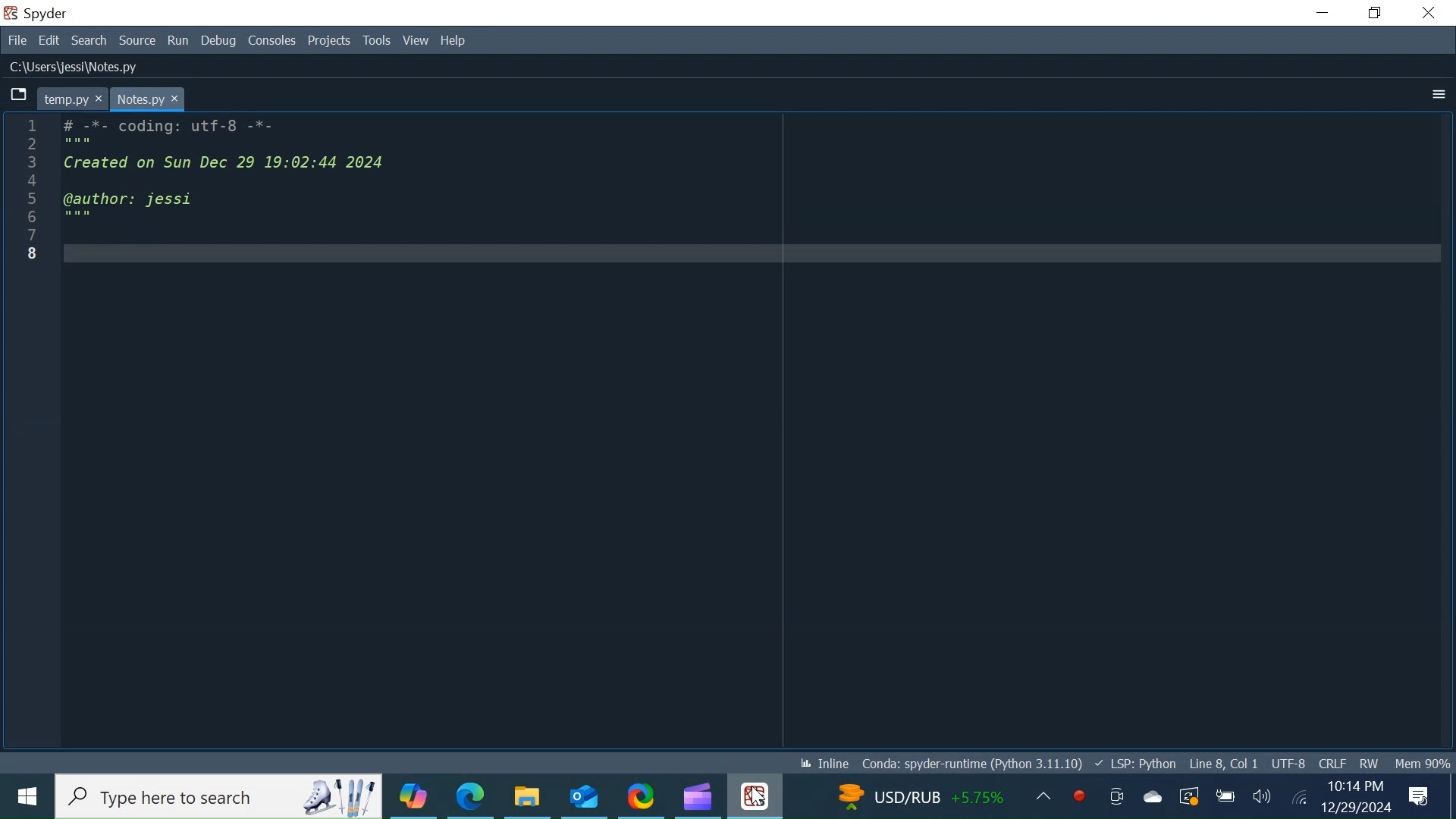 This screenshot has width=1456, height=819. Describe the element at coordinates (1116, 794) in the screenshot. I see `Meet now` at that location.